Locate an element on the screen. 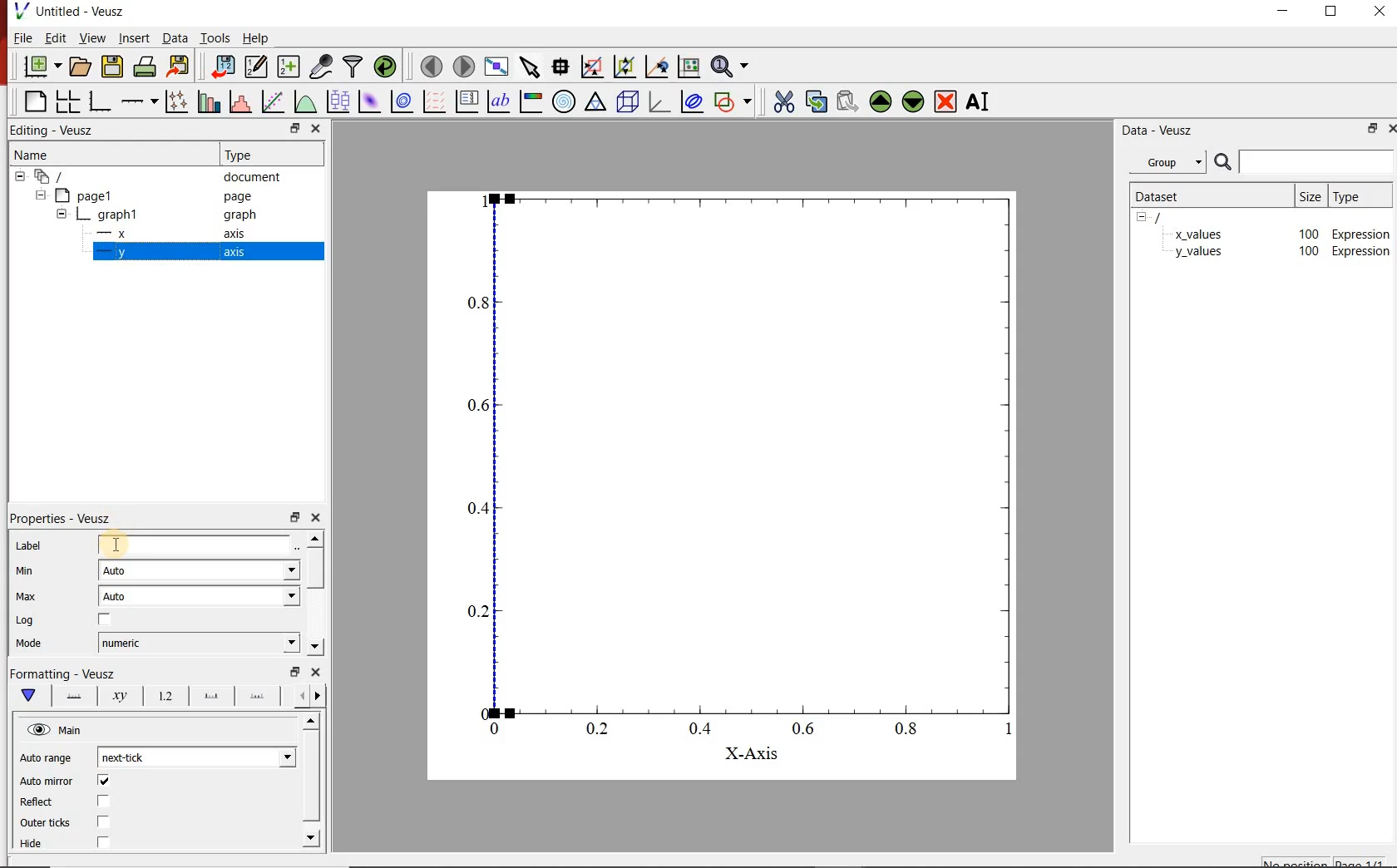  next options is located at coordinates (300, 696).